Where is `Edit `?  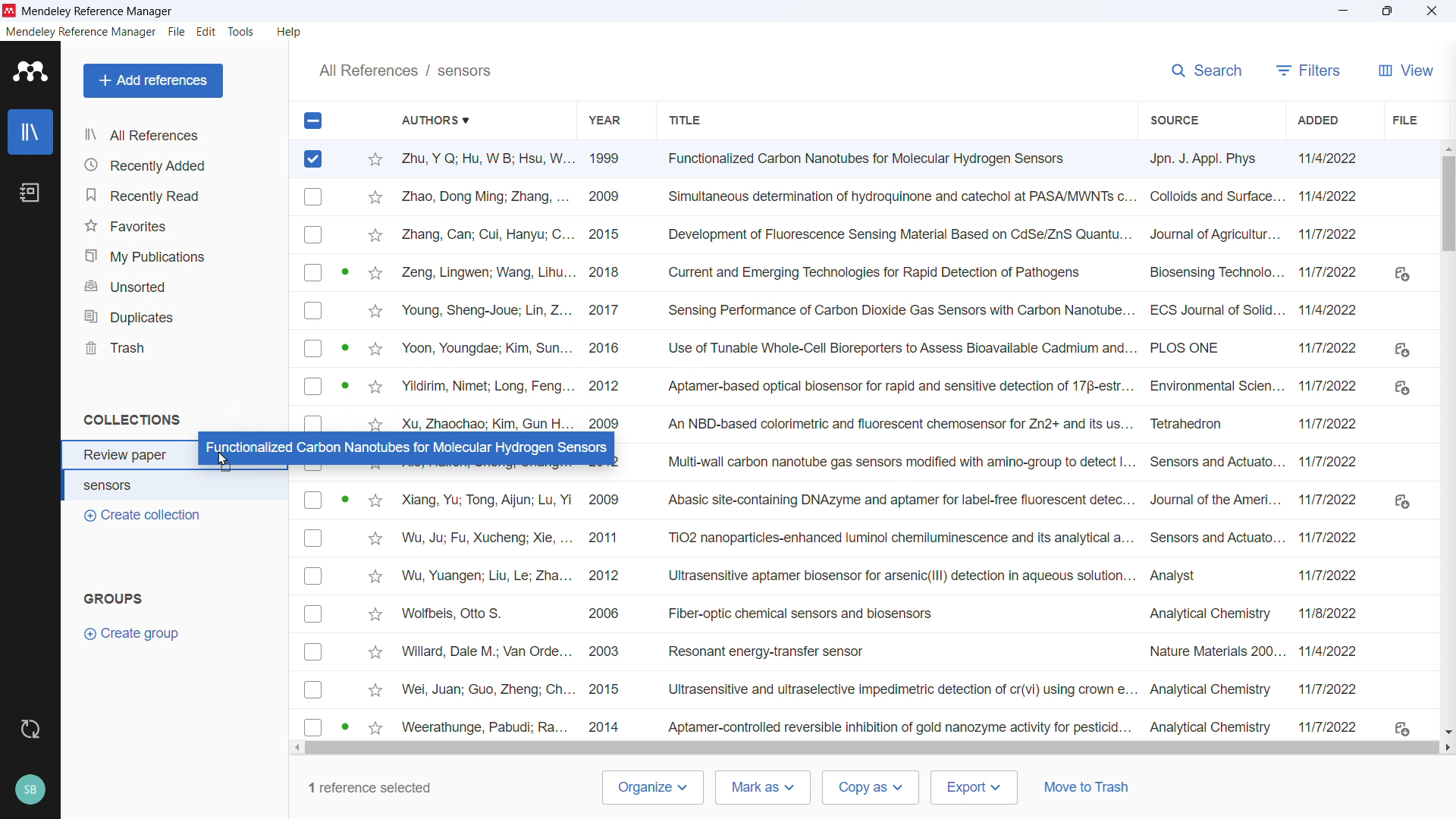 Edit  is located at coordinates (206, 33).